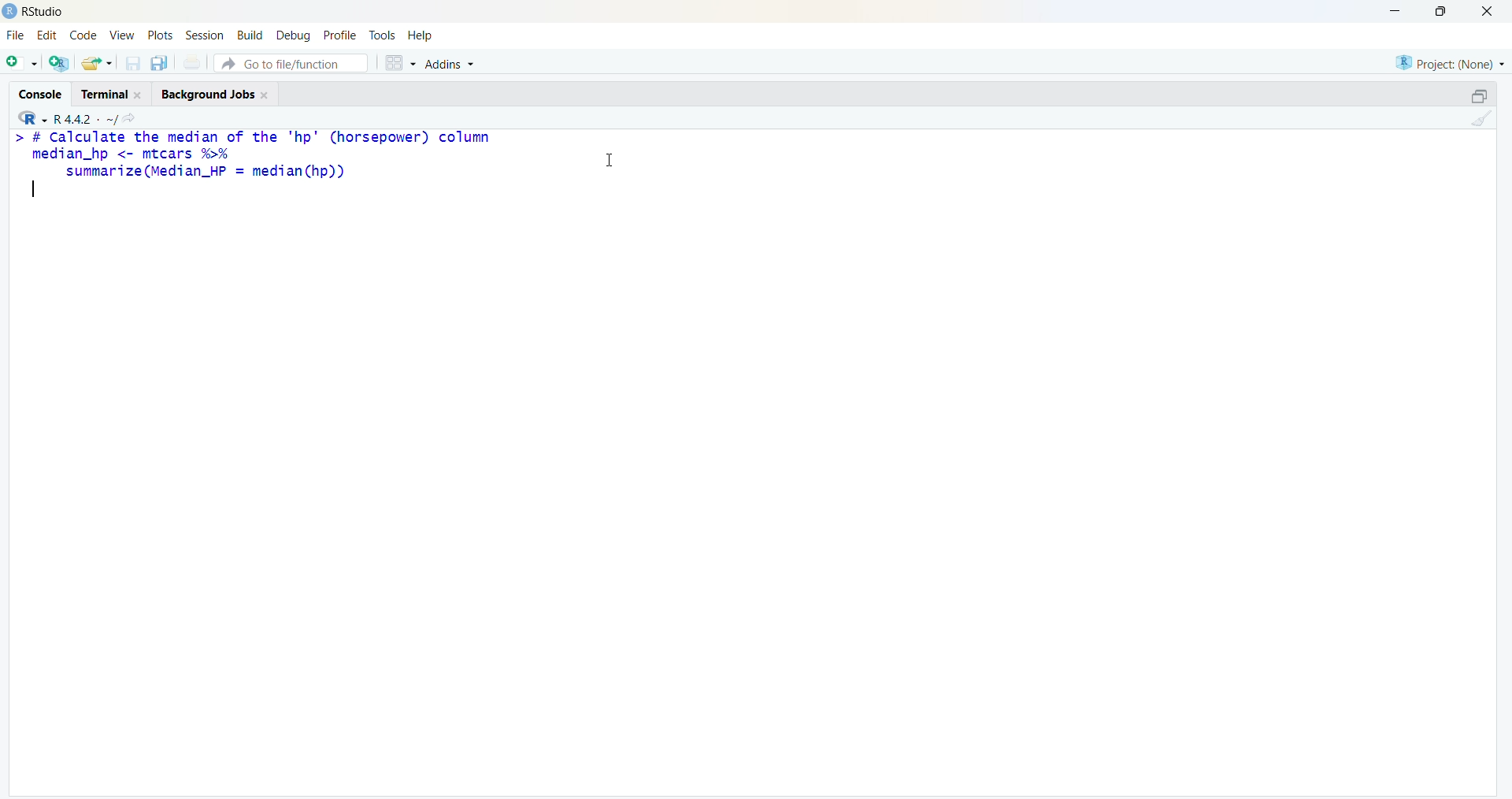 The width and height of the screenshot is (1512, 799). I want to click on clean, so click(1481, 118).